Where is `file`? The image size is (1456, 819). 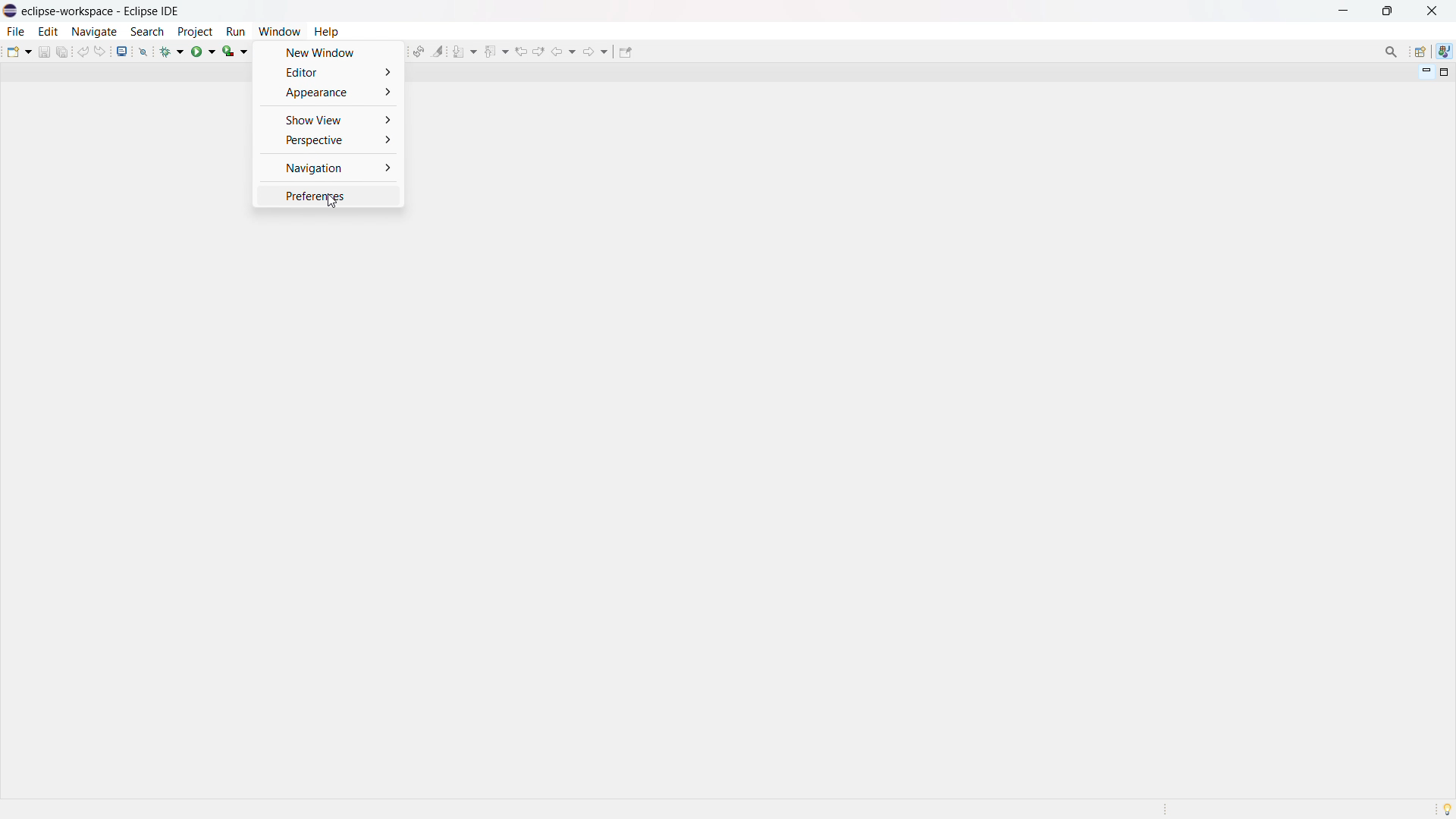
file is located at coordinates (14, 31).